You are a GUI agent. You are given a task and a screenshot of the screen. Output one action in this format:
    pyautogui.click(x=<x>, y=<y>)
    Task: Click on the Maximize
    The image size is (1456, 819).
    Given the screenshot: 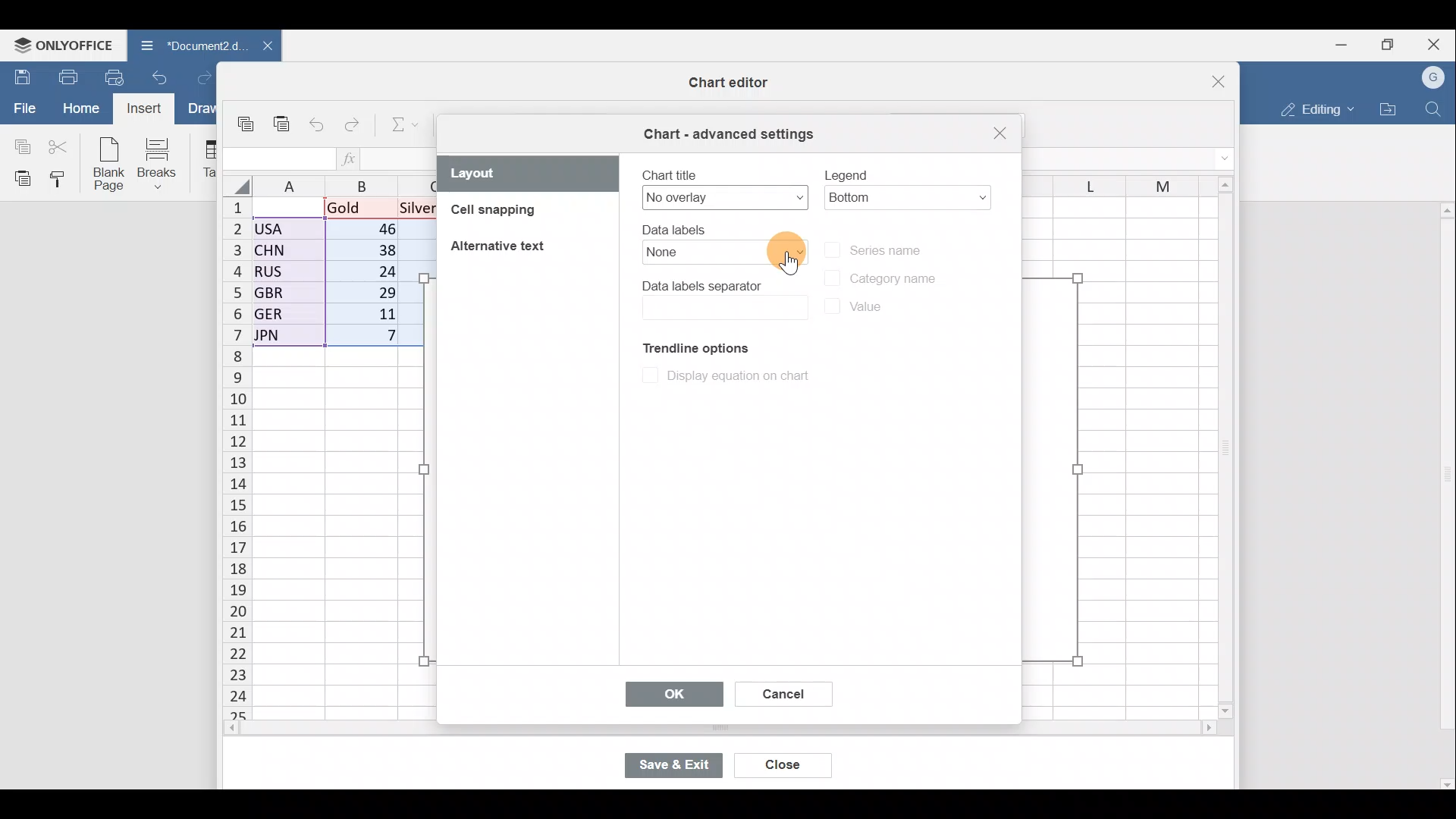 What is the action you would take?
    pyautogui.click(x=1394, y=43)
    